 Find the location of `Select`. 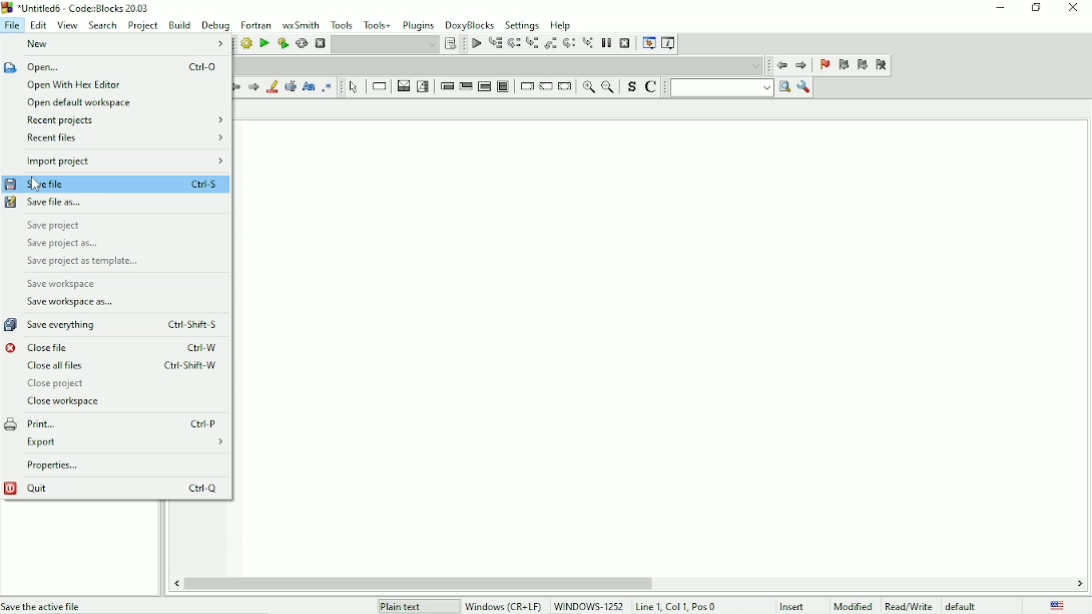

Select is located at coordinates (353, 88).